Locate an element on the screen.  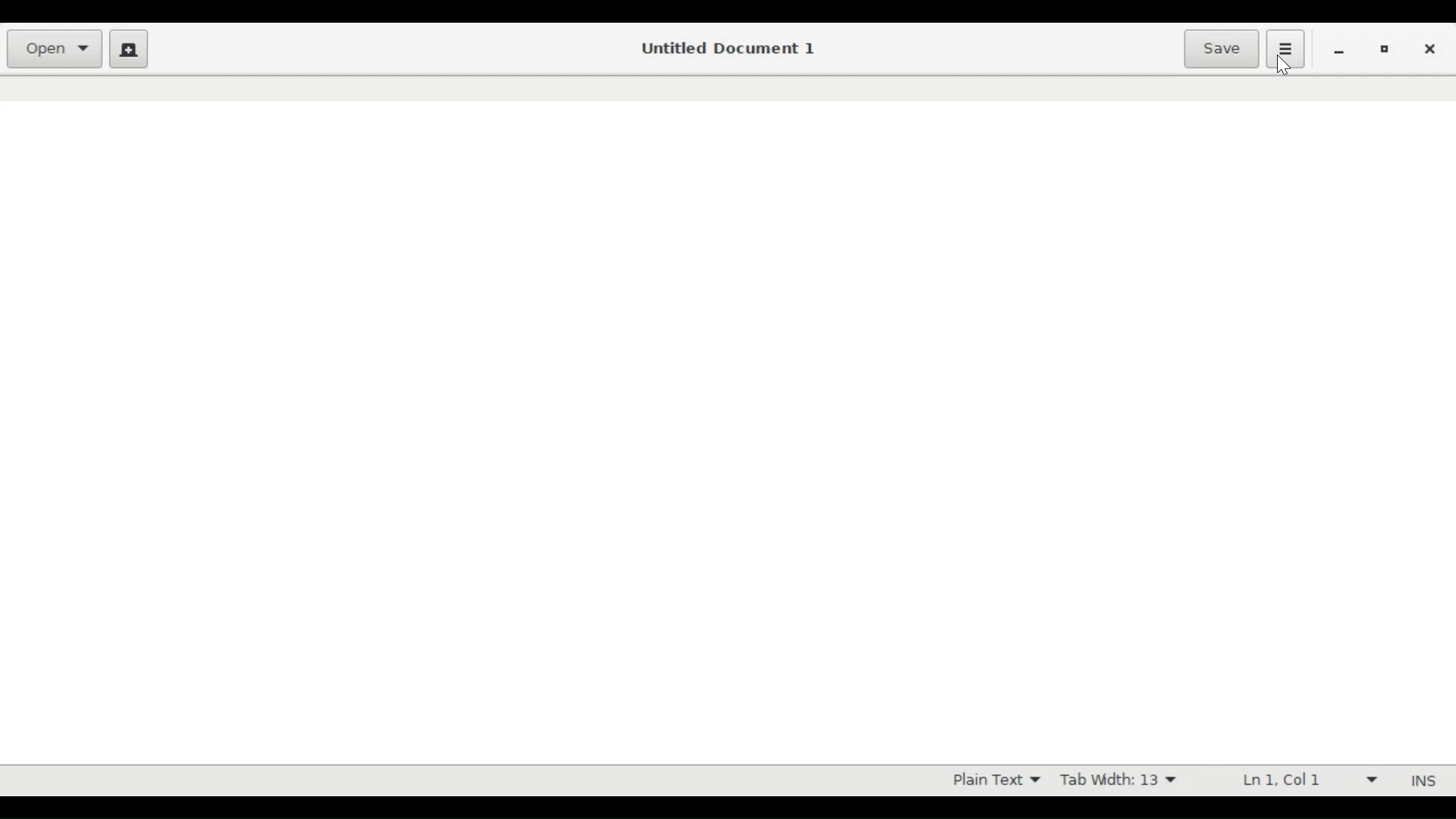
Text Entry Pane is located at coordinates (727, 419).